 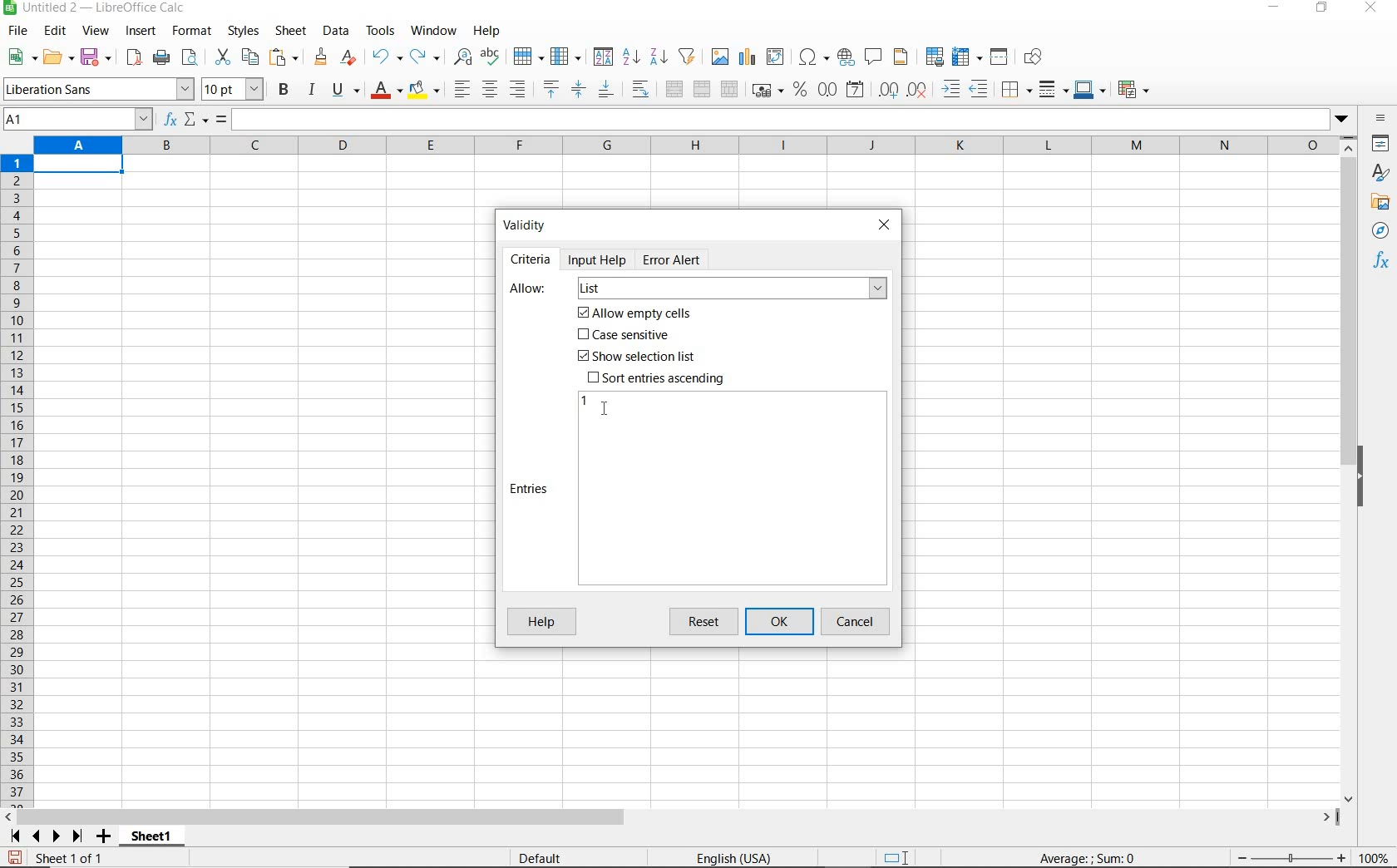 What do you see at coordinates (605, 91) in the screenshot?
I see `align bottom` at bounding box center [605, 91].